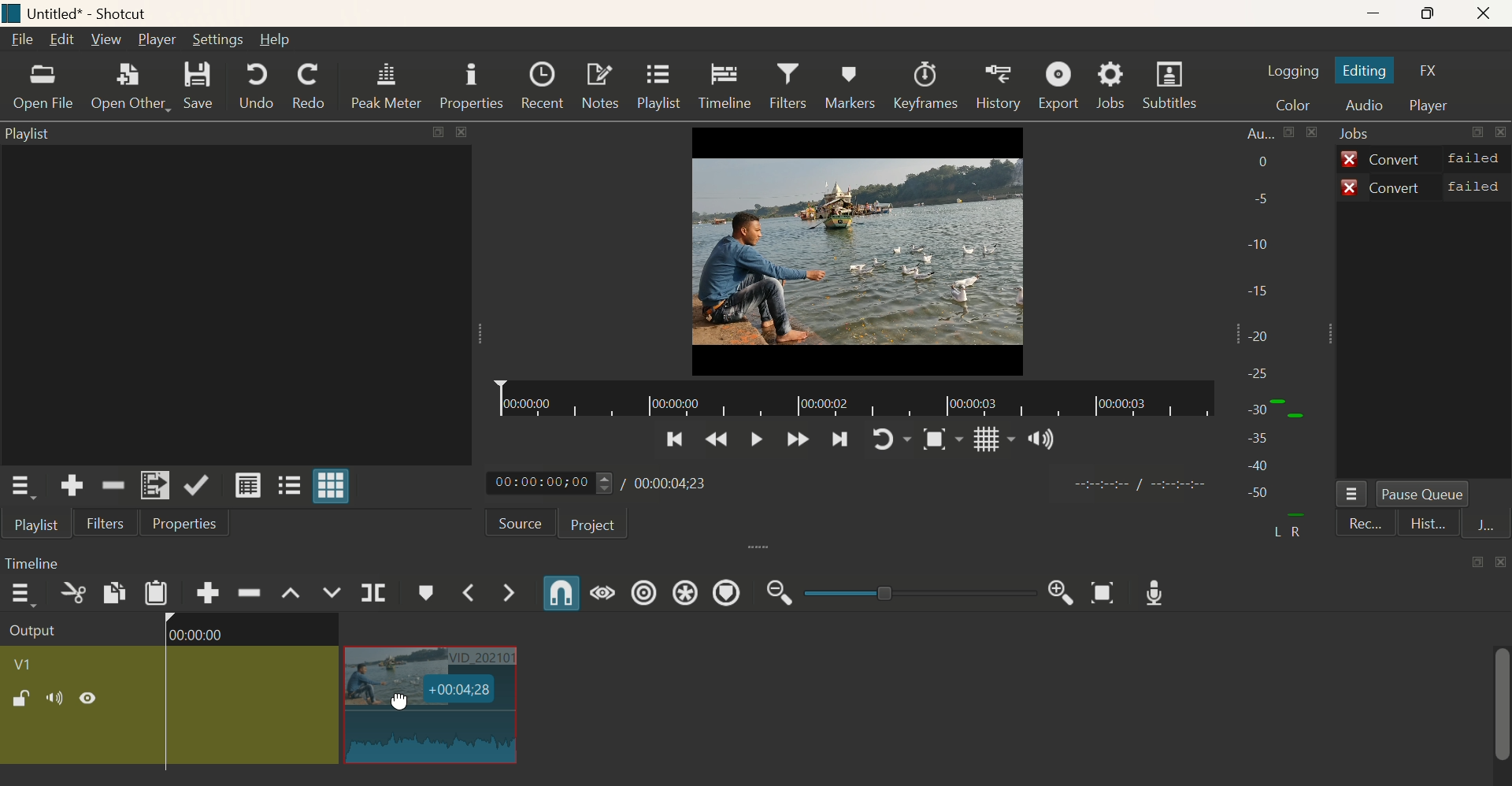 The height and width of the screenshot is (786, 1512). Describe the element at coordinates (1370, 72) in the screenshot. I see `Editing` at that location.